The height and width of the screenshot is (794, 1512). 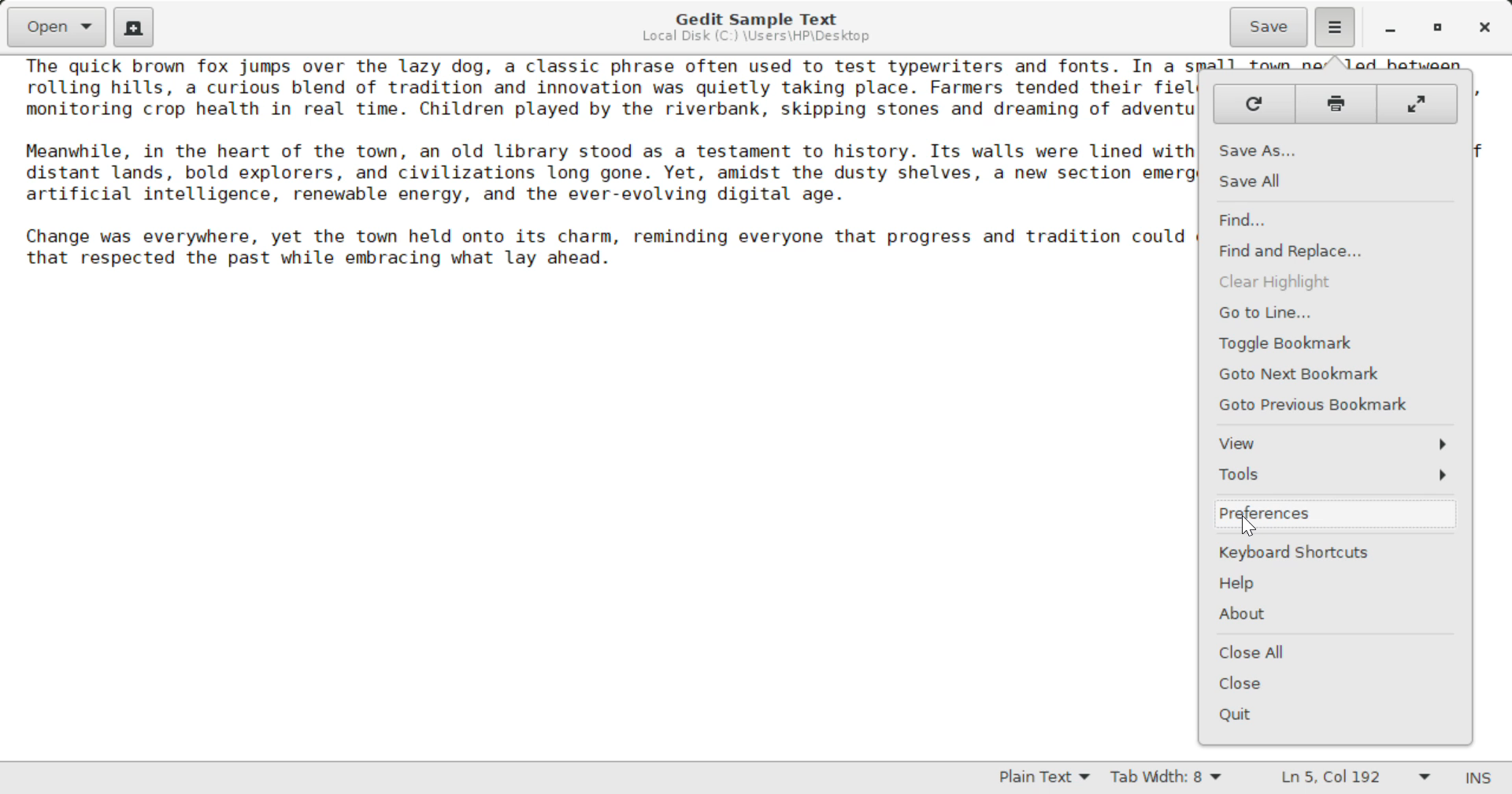 I want to click on File Location, so click(x=754, y=39).